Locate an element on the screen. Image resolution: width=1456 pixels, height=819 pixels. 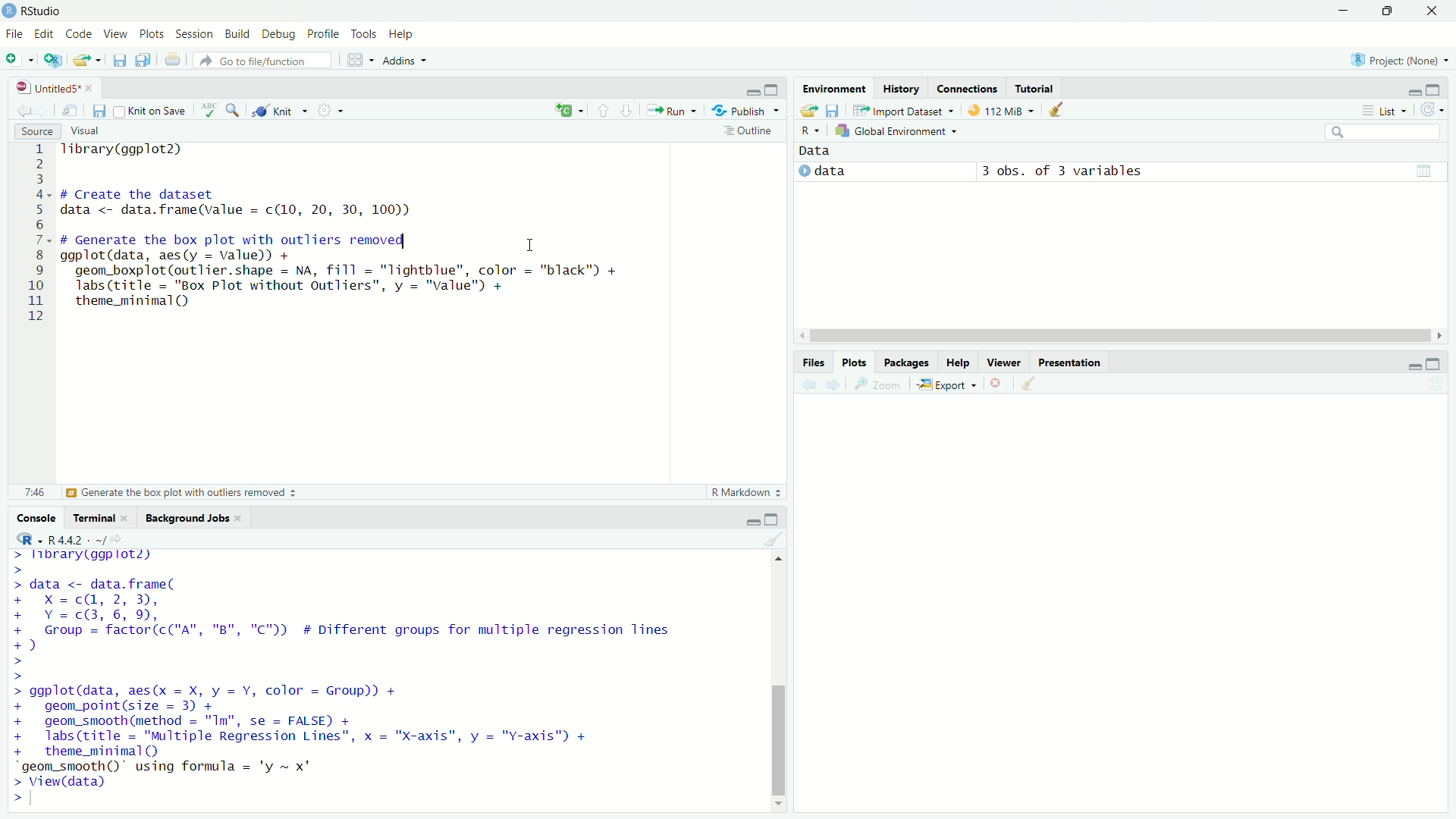
cursor is located at coordinates (531, 245).